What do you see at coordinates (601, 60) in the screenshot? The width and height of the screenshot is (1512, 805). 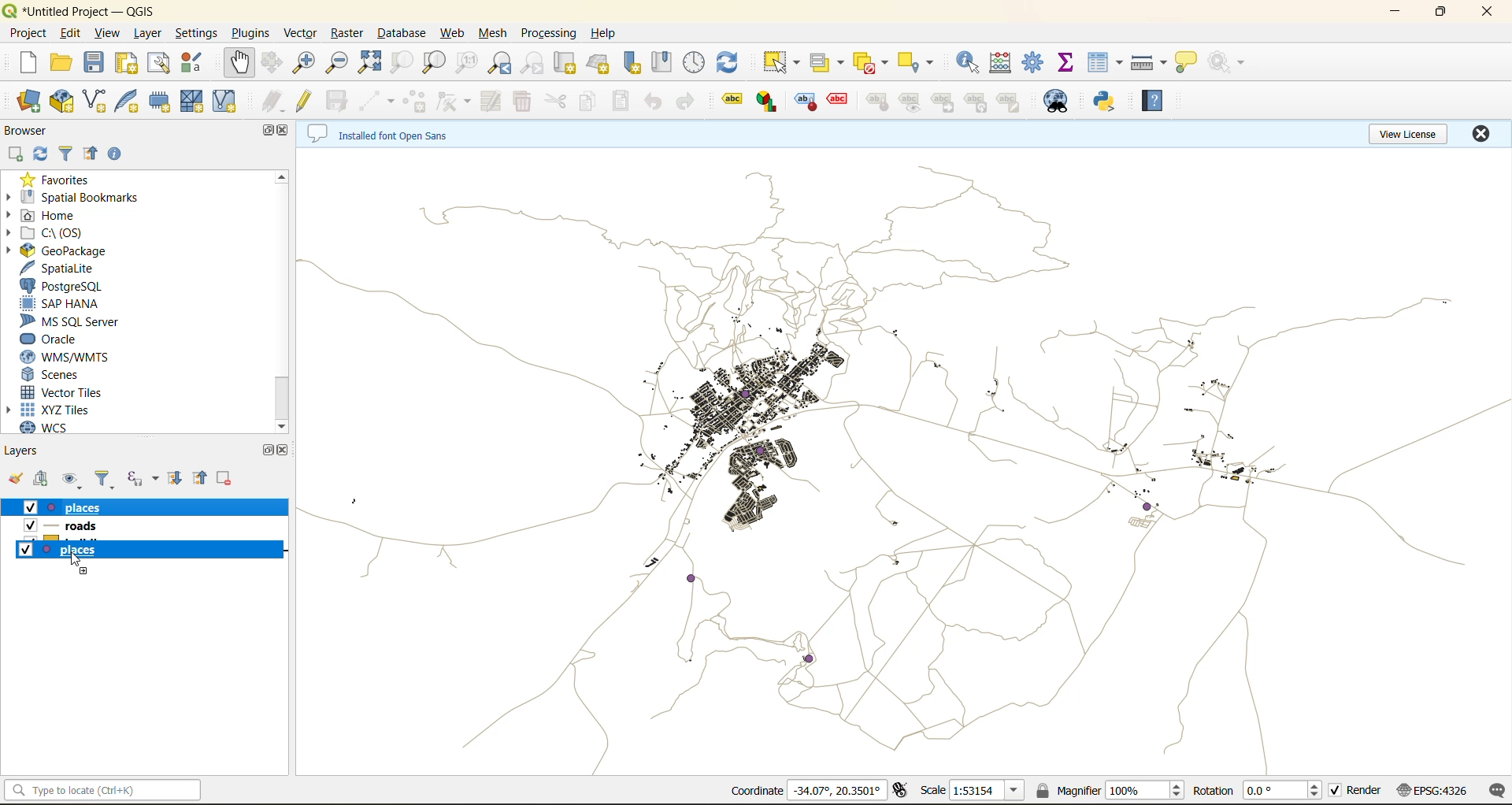 I see `new 3d map` at bounding box center [601, 60].